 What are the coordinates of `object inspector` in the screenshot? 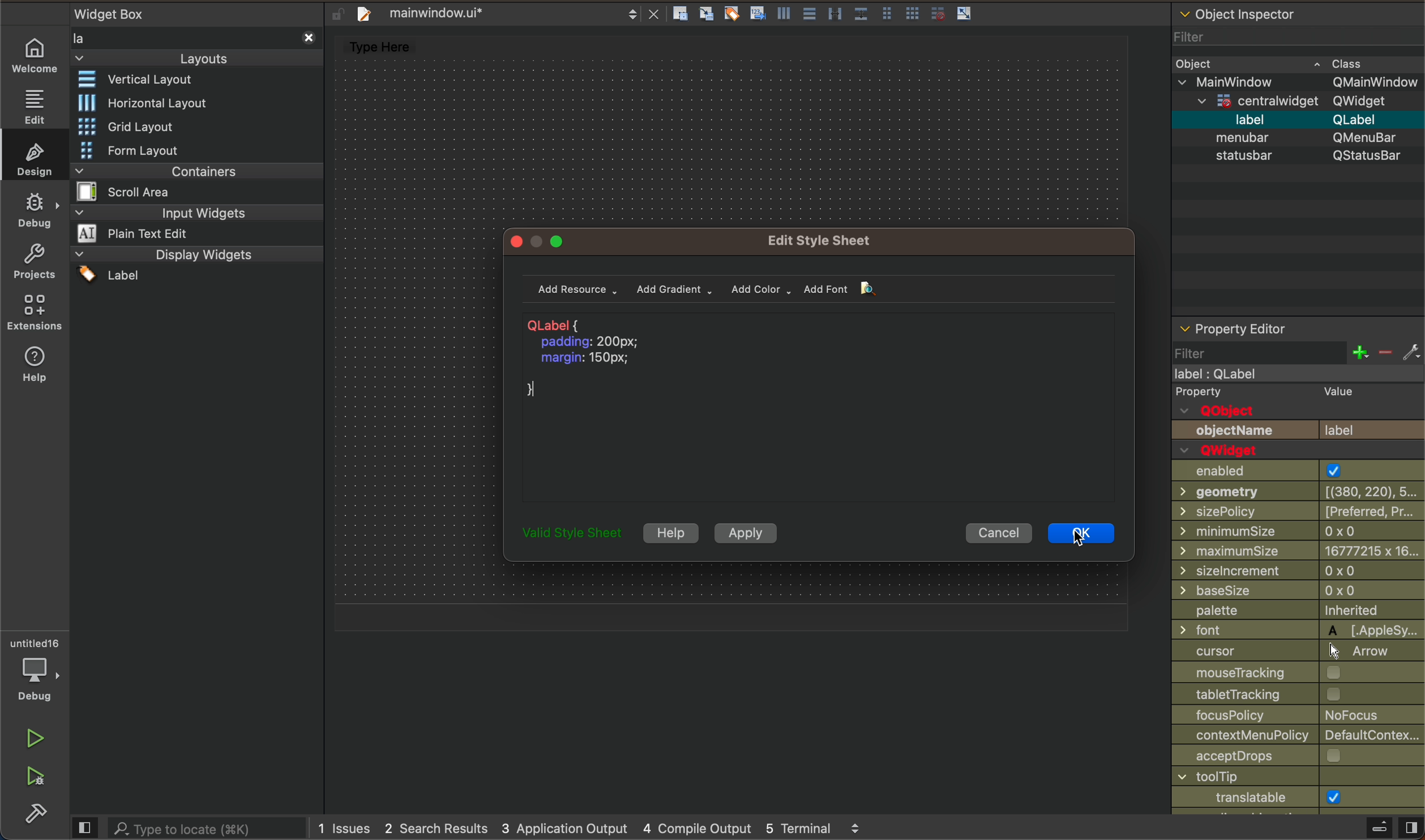 It's located at (1295, 12).